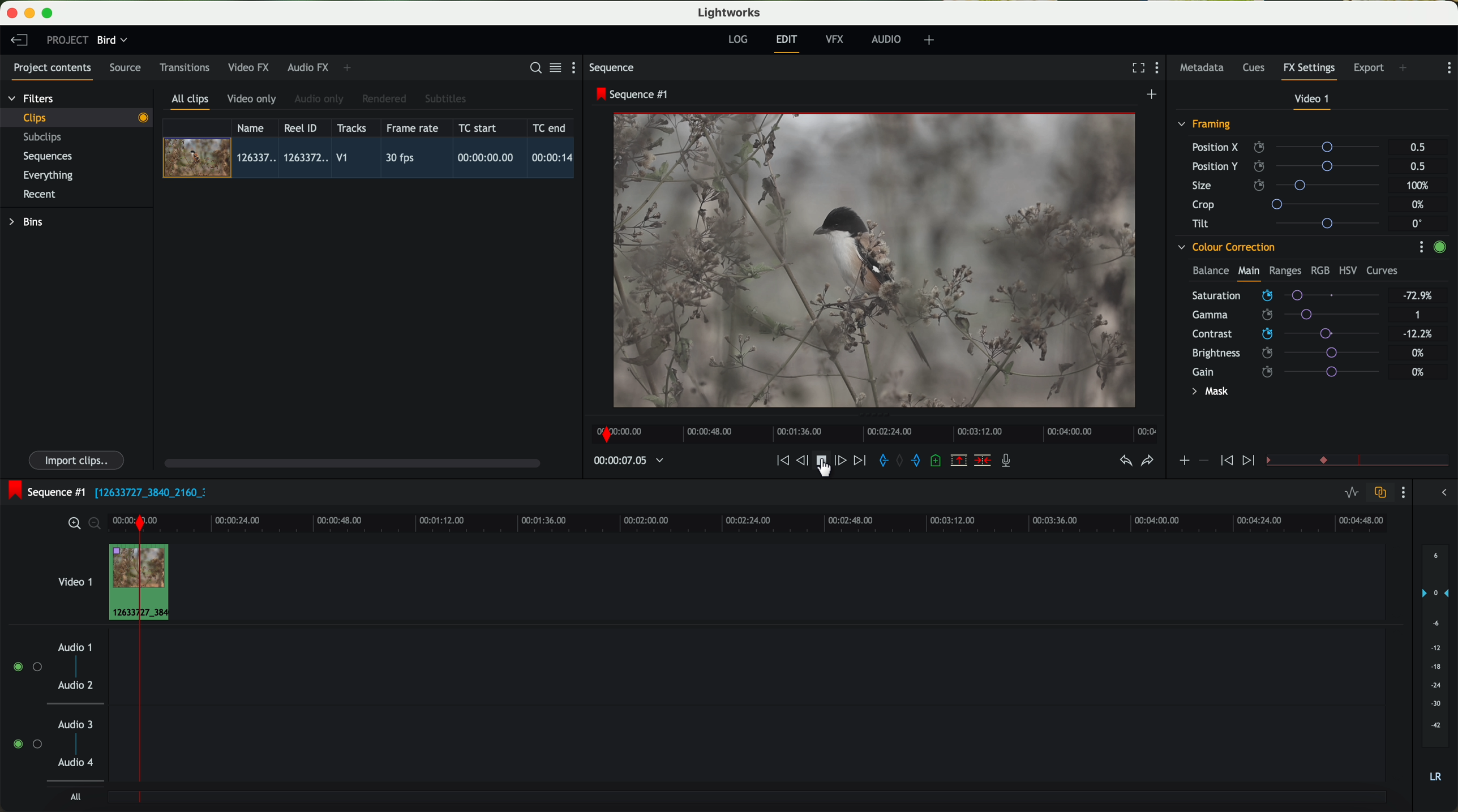  Describe the element at coordinates (12, 13) in the screenshot. I see `close program` at that location.